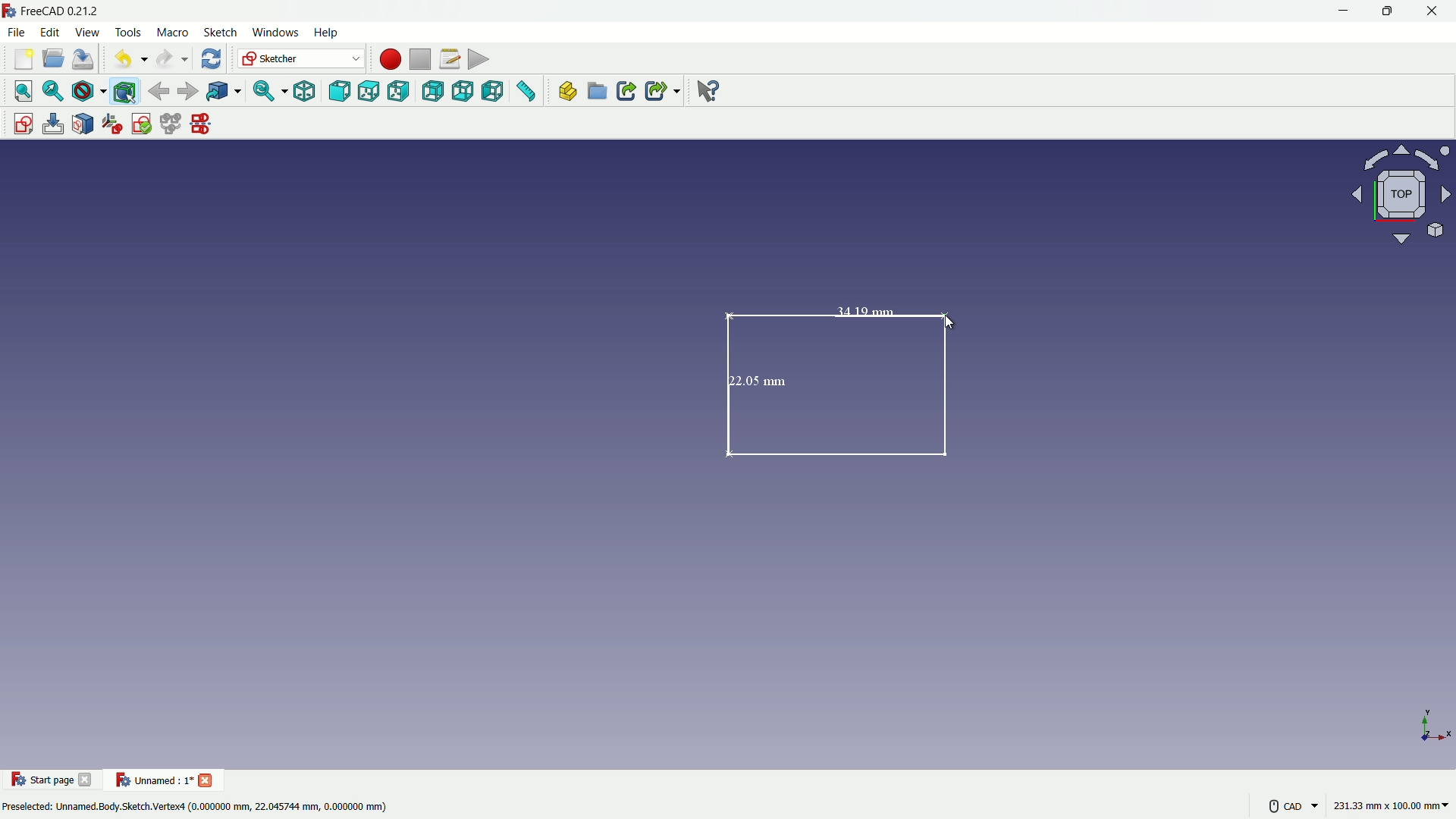  What do you see at coordinates (87, 783) in the screenshot?
I see `close start page` at bounding box center [87, 783].